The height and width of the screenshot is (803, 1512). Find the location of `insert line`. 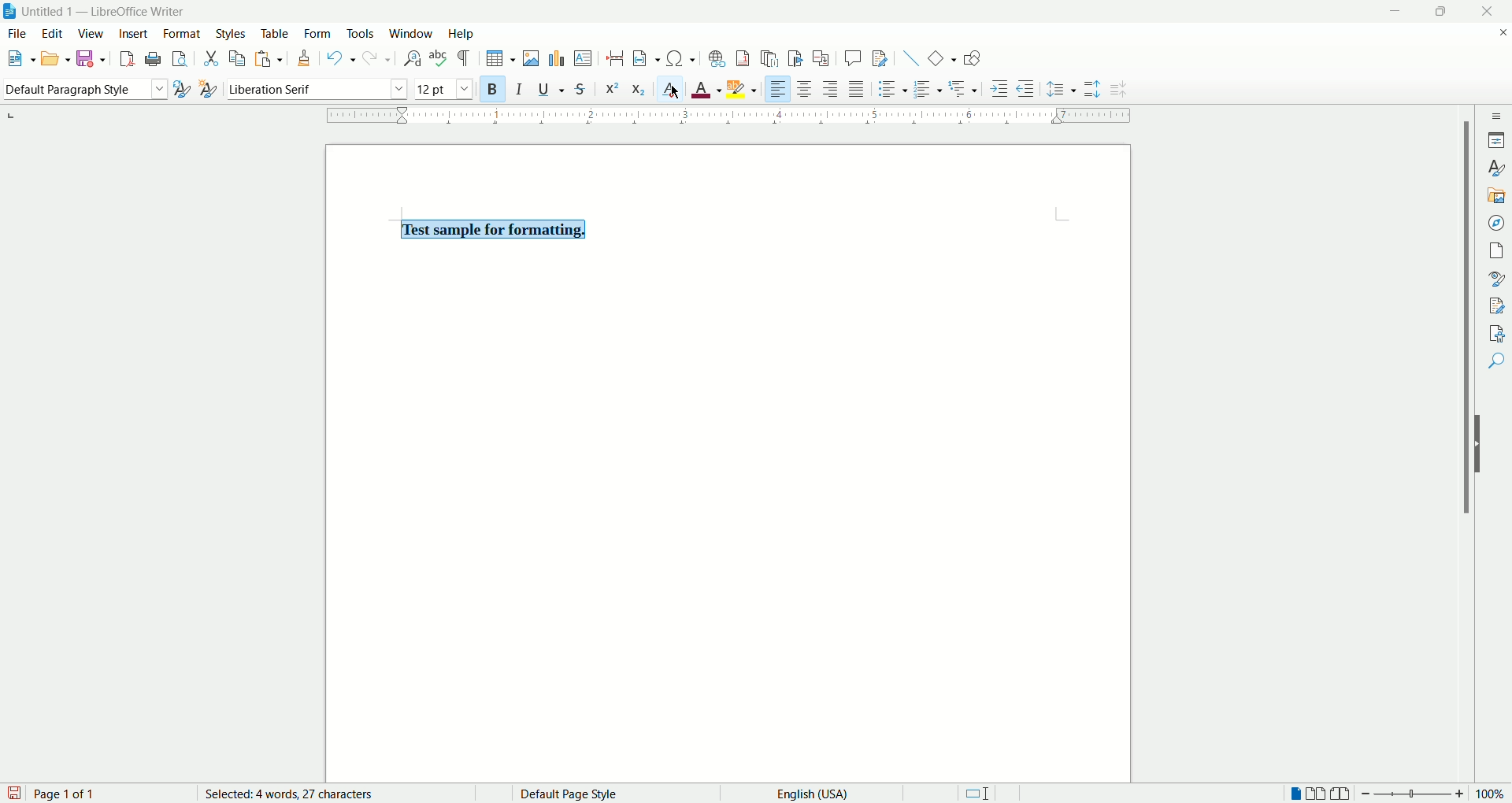

insert line is located at coordinates (905, 56).